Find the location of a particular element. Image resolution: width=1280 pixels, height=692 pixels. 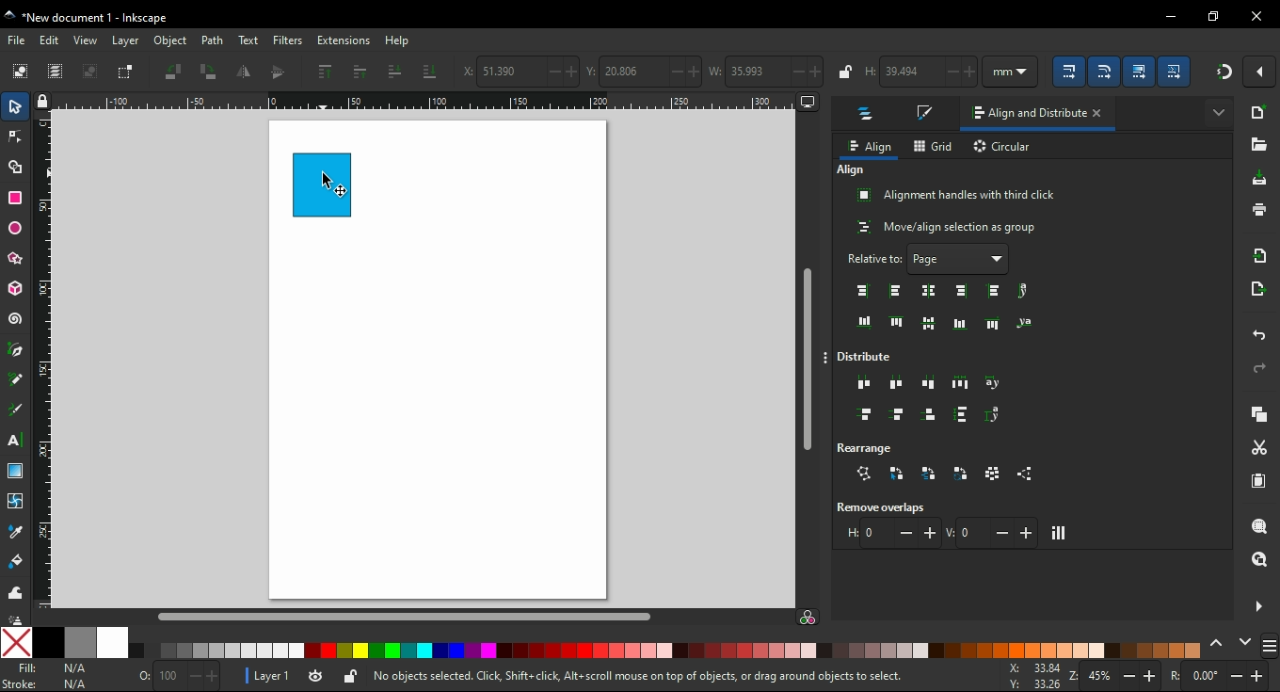

align left edge of objects to right edge of anchor is located at coordinates (996, 291).